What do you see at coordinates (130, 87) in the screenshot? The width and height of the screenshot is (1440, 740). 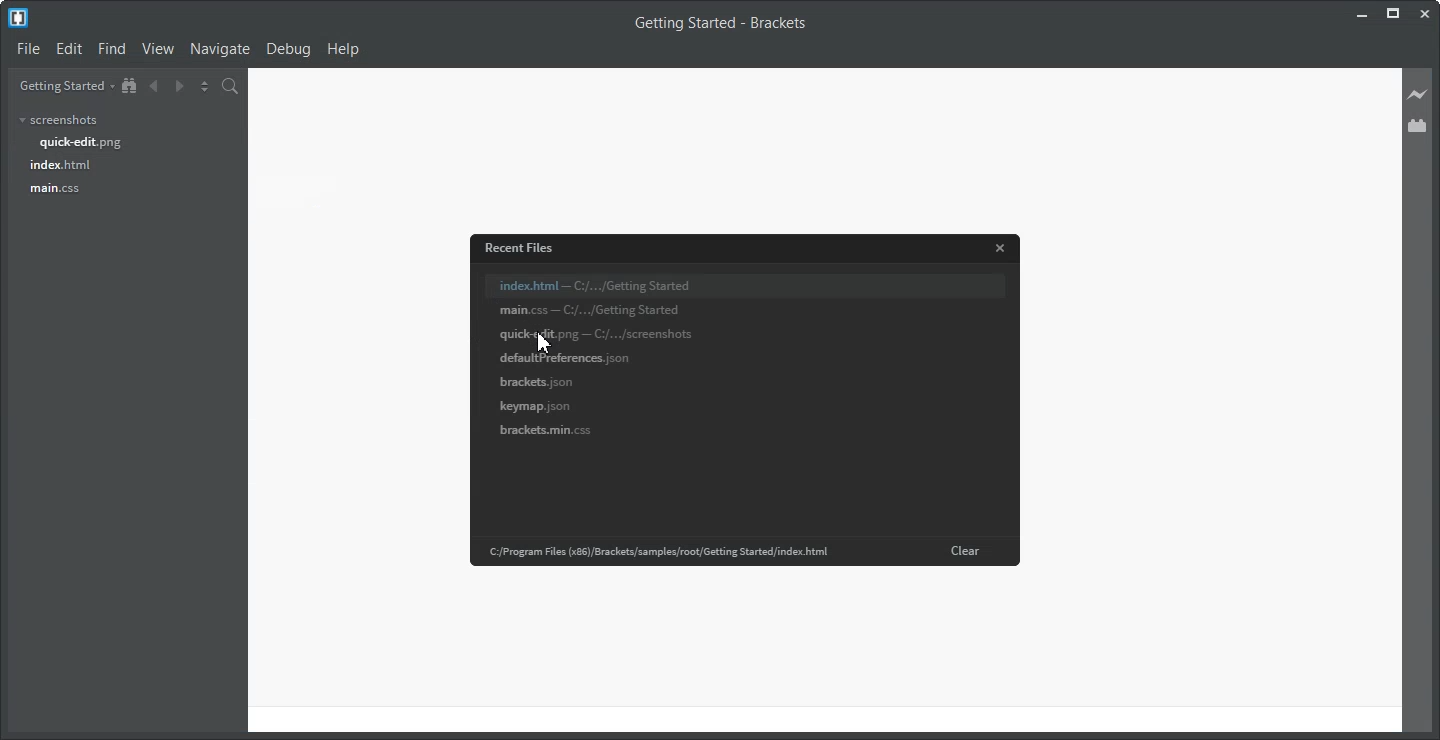 I see `Show in the file Tree` at bounding box center [130, 87].